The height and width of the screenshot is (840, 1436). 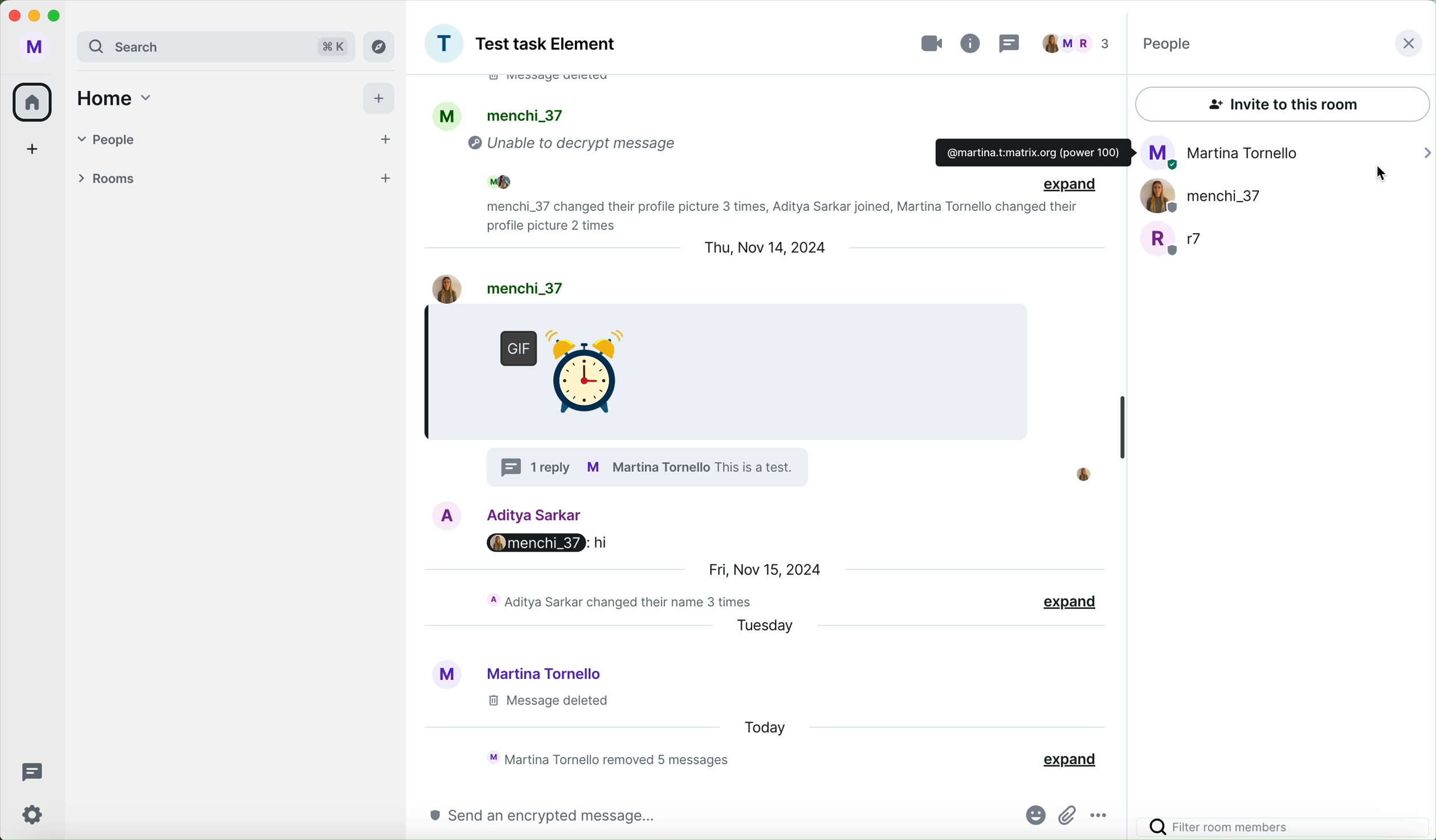 I want to click on profile, so click(x=647, y=467).